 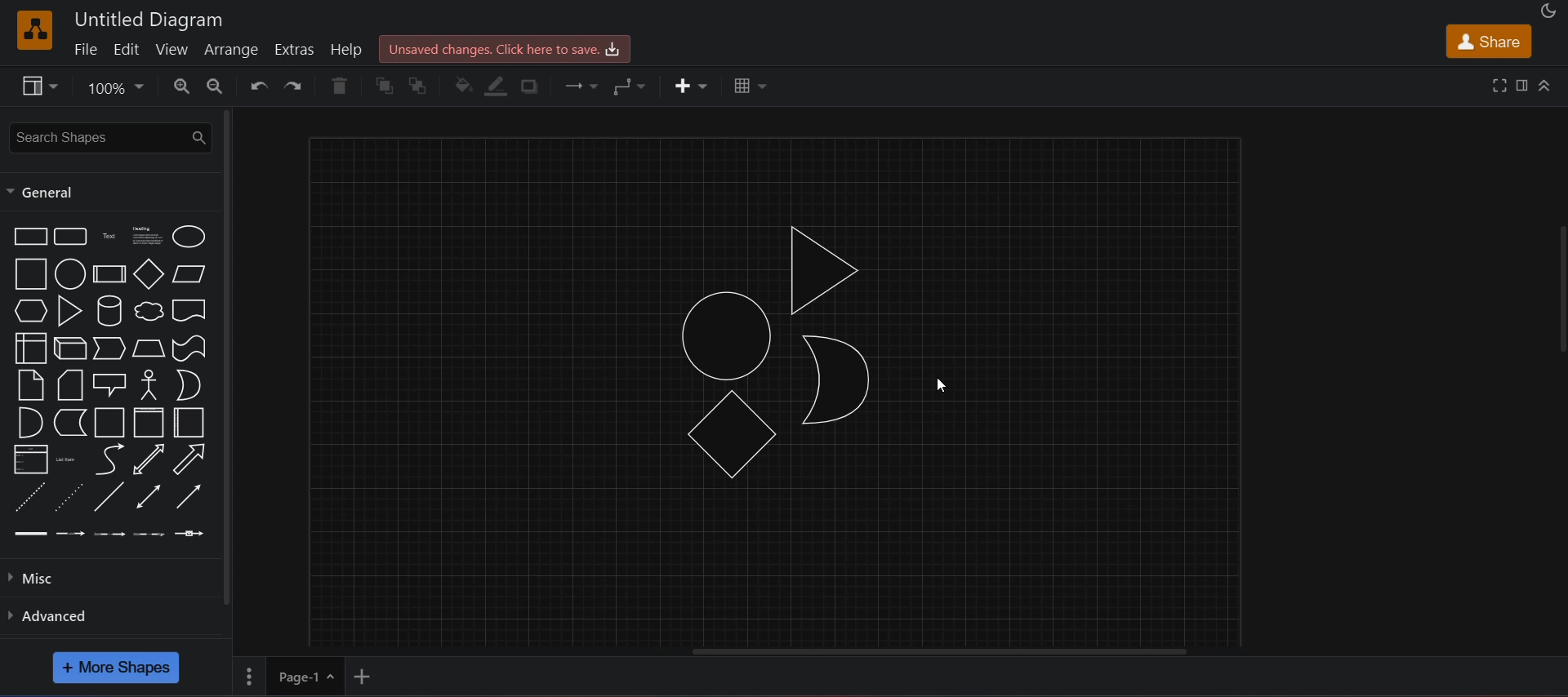 What do you see at coordinates (534, 87) in the screenshot?
I see `shadow` at bounding box center [534, 87].